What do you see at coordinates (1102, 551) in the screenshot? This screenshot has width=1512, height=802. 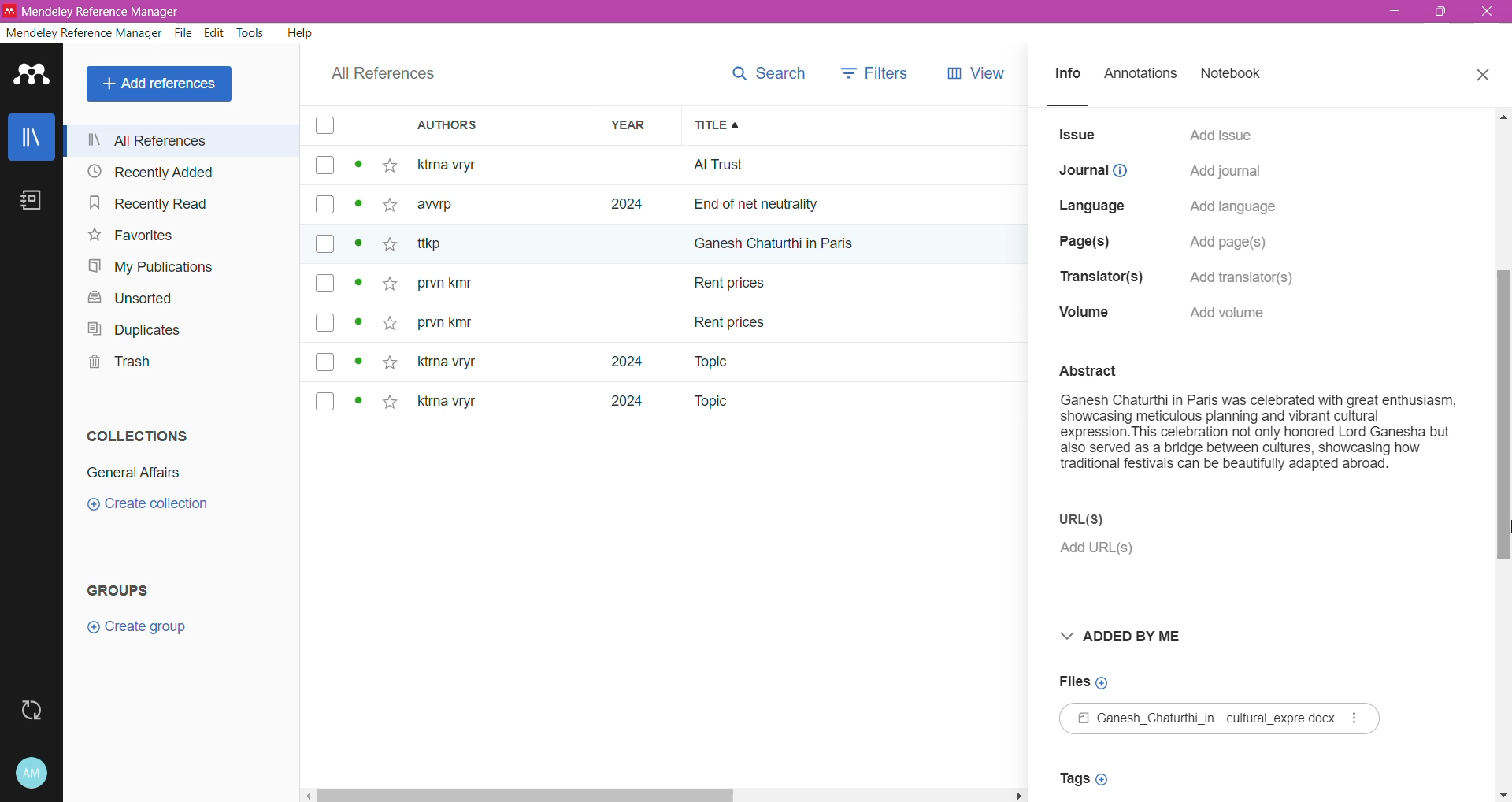 I see `Click to Add URL(S)` at bounding box center [1102, 551].